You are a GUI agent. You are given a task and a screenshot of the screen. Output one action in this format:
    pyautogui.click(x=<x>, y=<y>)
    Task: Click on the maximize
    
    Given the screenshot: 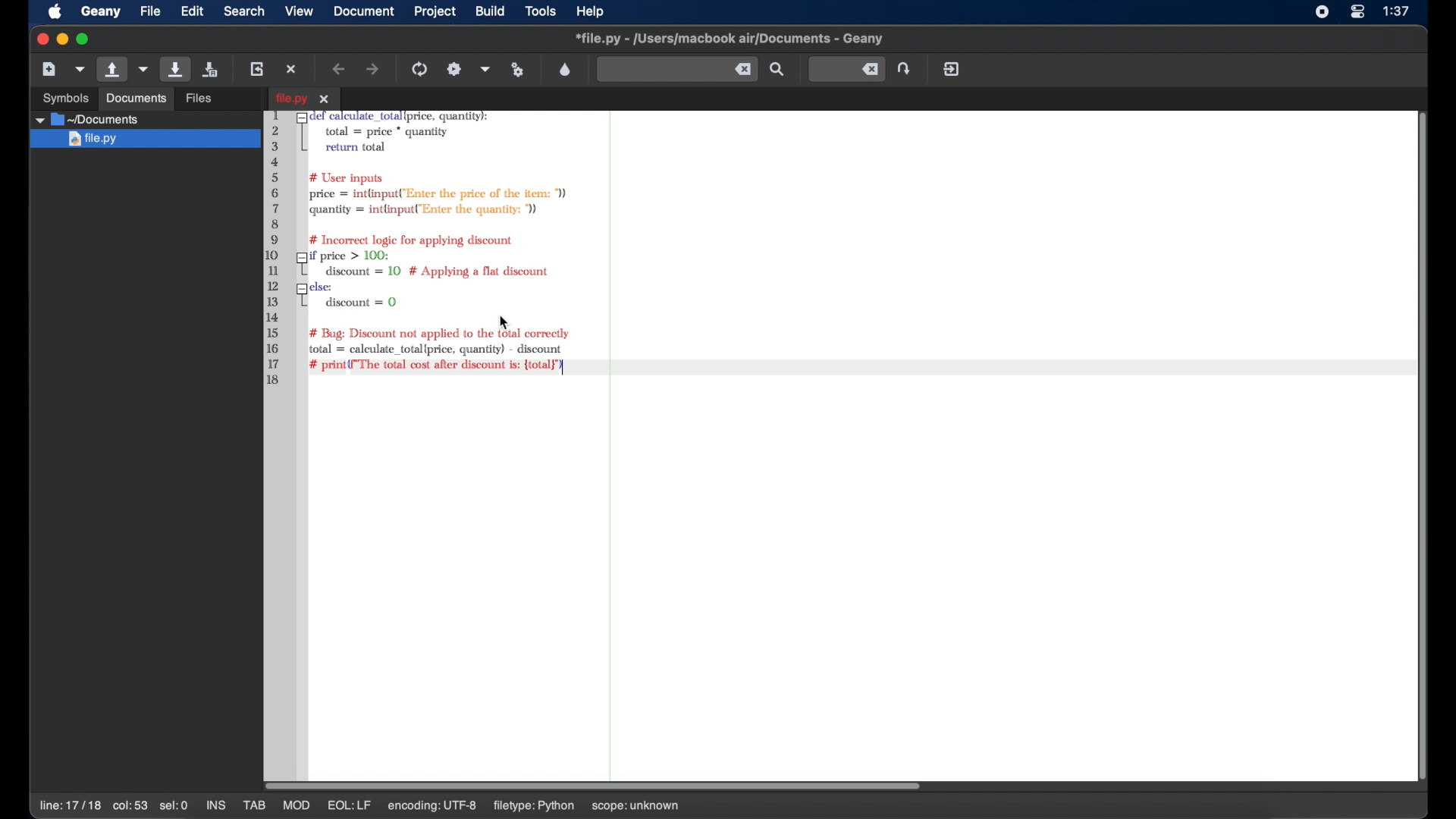 What is the action you would take?
    pyautogui.click(x=85, y=39)
    